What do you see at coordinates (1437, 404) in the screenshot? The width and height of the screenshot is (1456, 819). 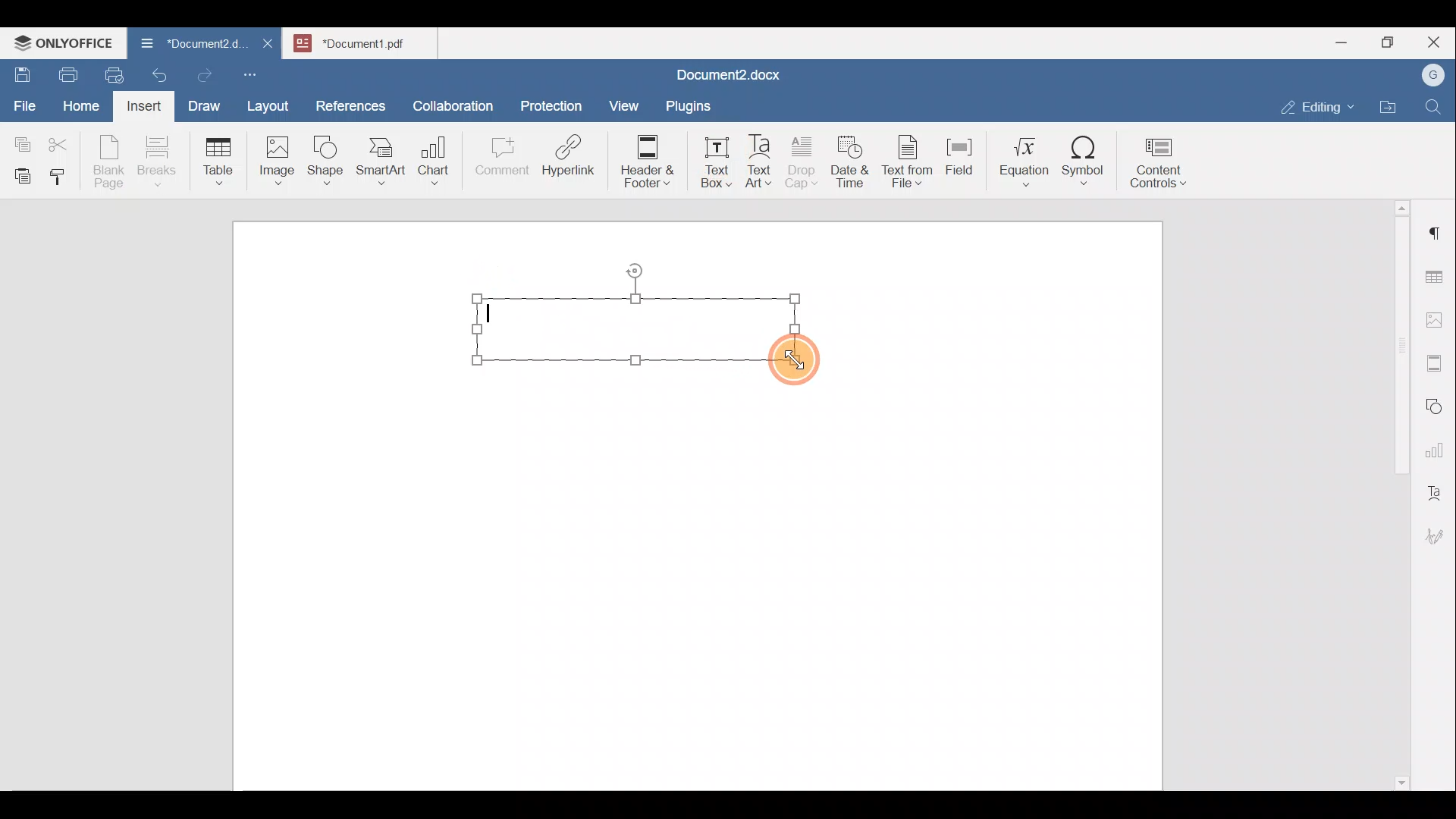 I see `Shapes settings` at bounding box center [1437, 404].